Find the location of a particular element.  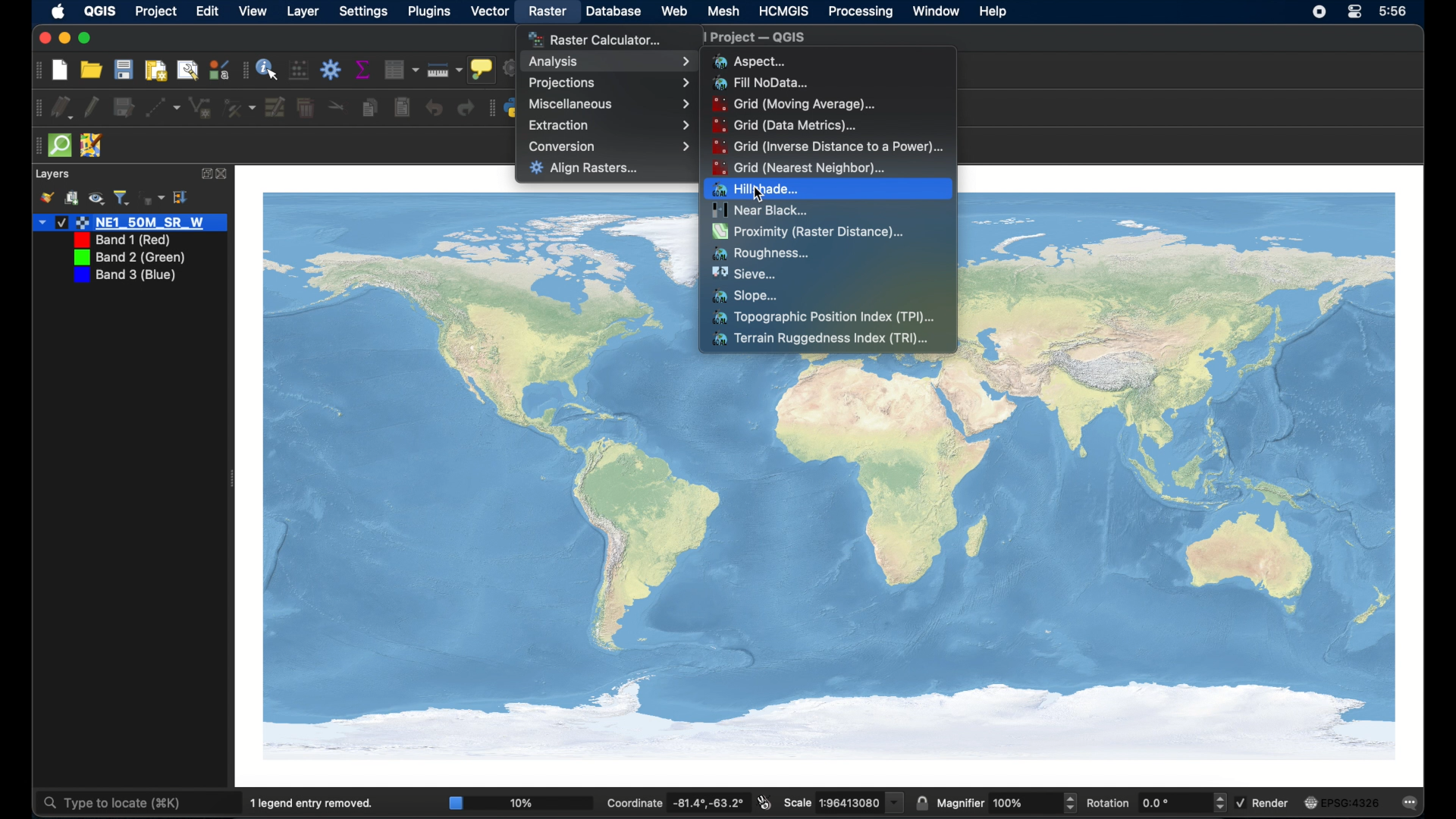

drag handle is located at coordinates (491, 108).